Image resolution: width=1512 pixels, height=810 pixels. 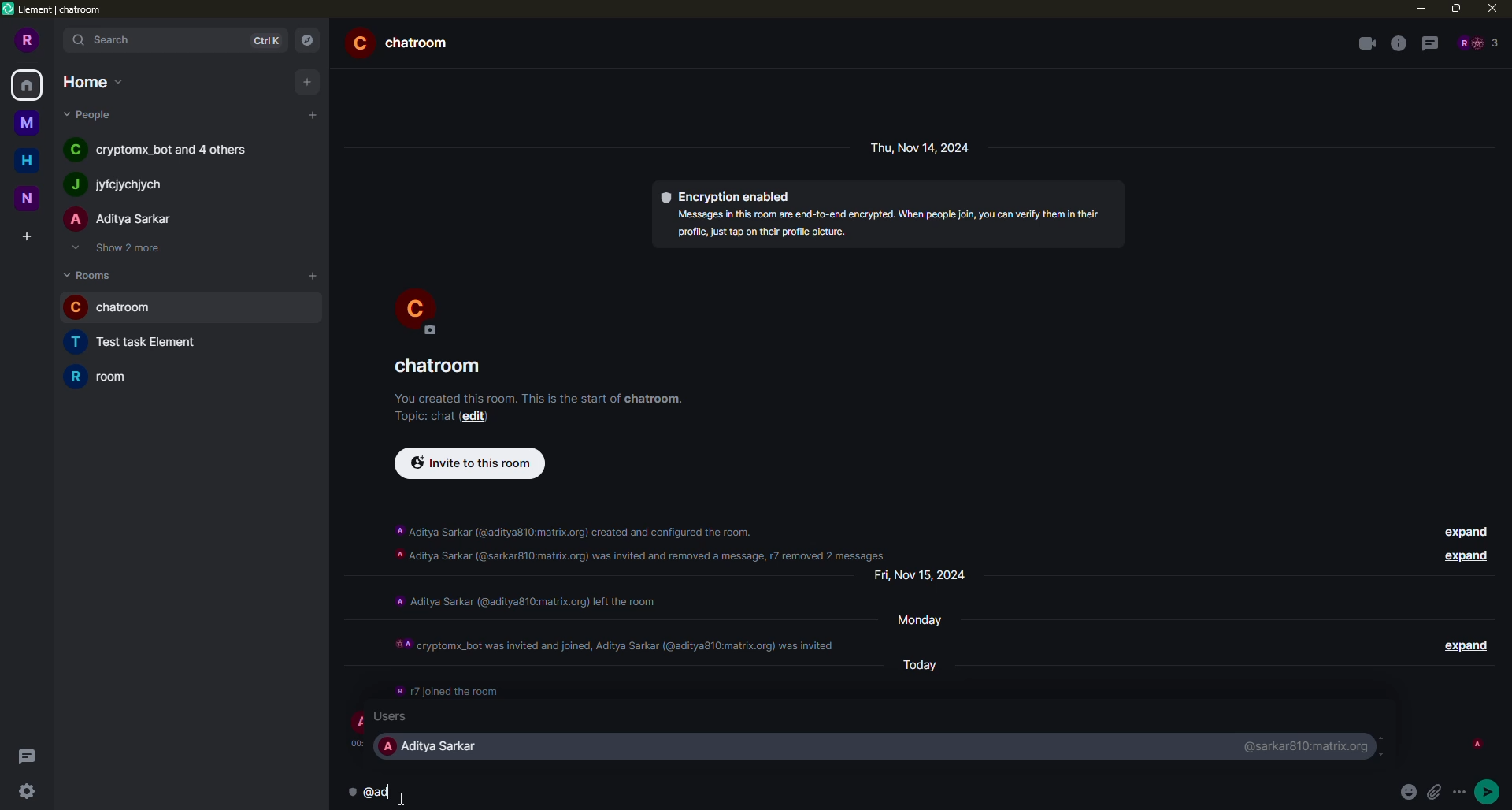 I want to click on people, so click(x=91, y=114).